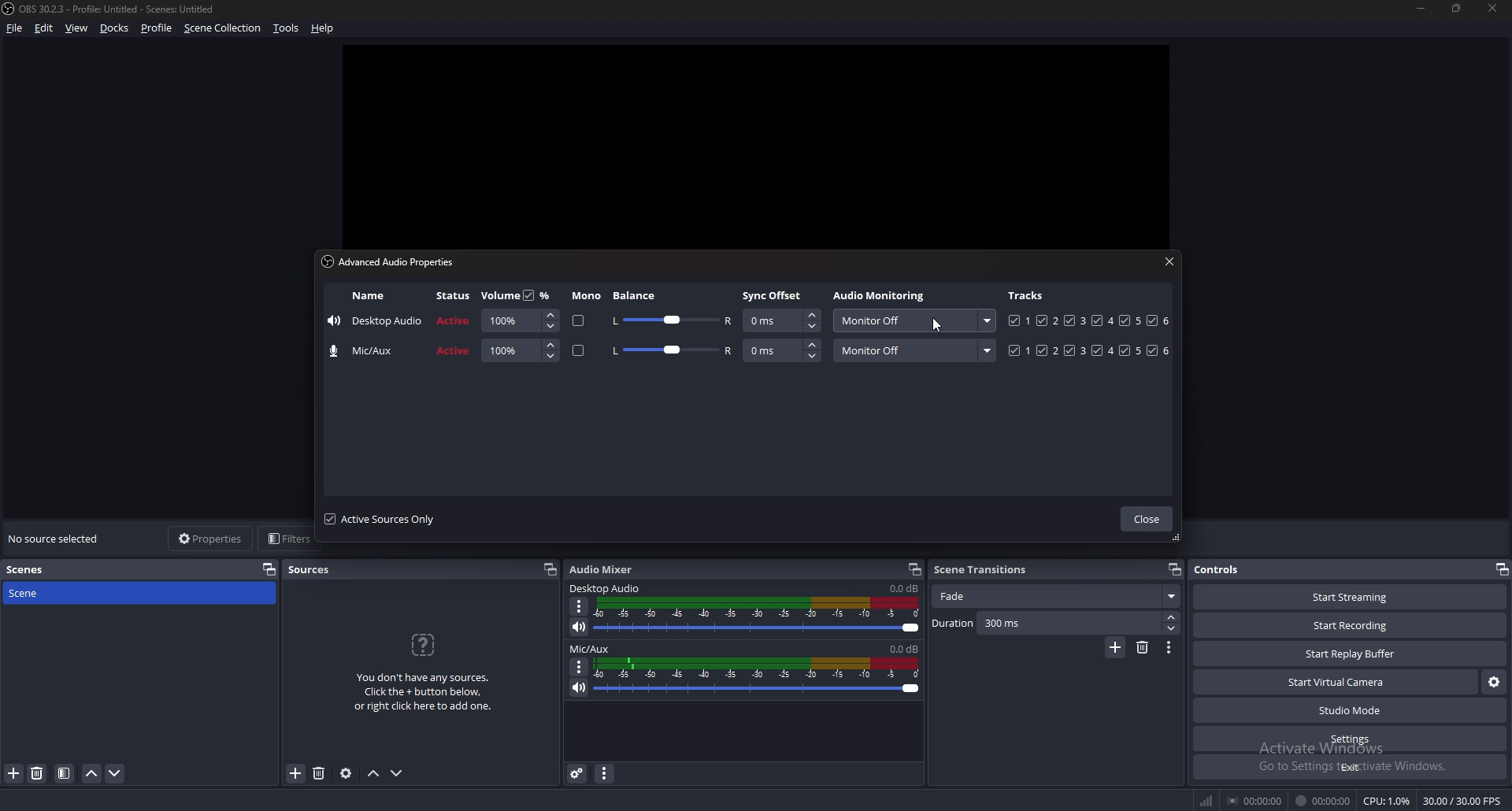 Image resolution: width=1512 pixels, height=811 pixels. Describe the element at coordinates (376, 773) in the screenshot. I see `move source up` at that location.